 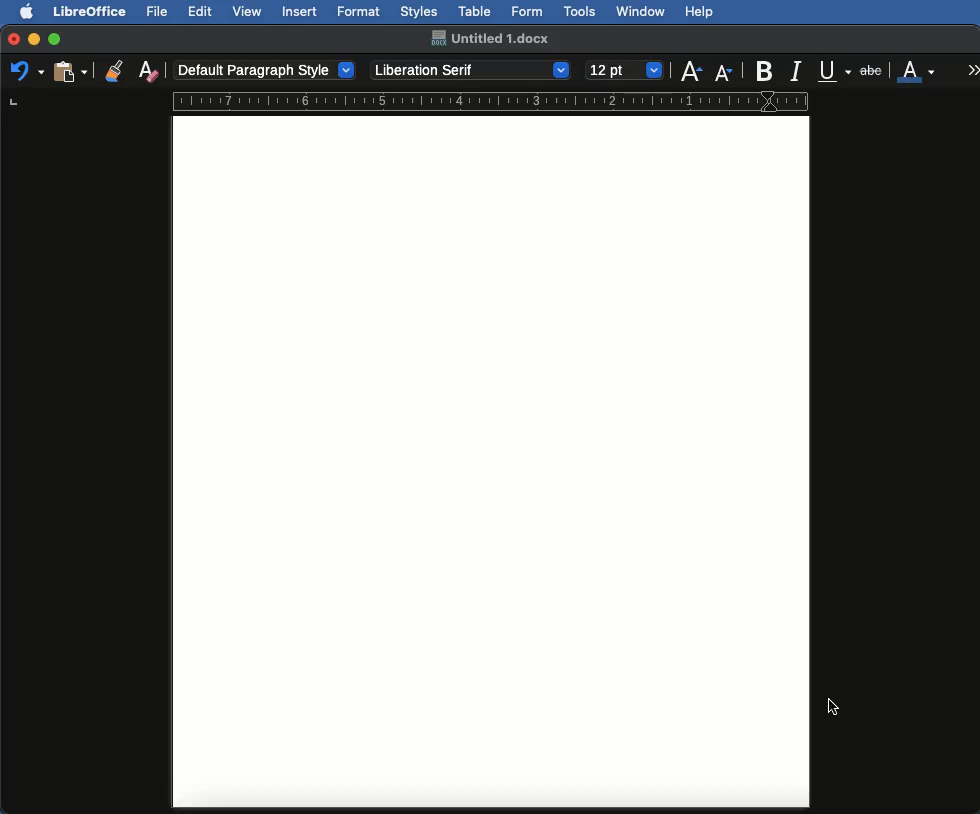 I want to click on Clear formatting, so click(x=148, y=69).